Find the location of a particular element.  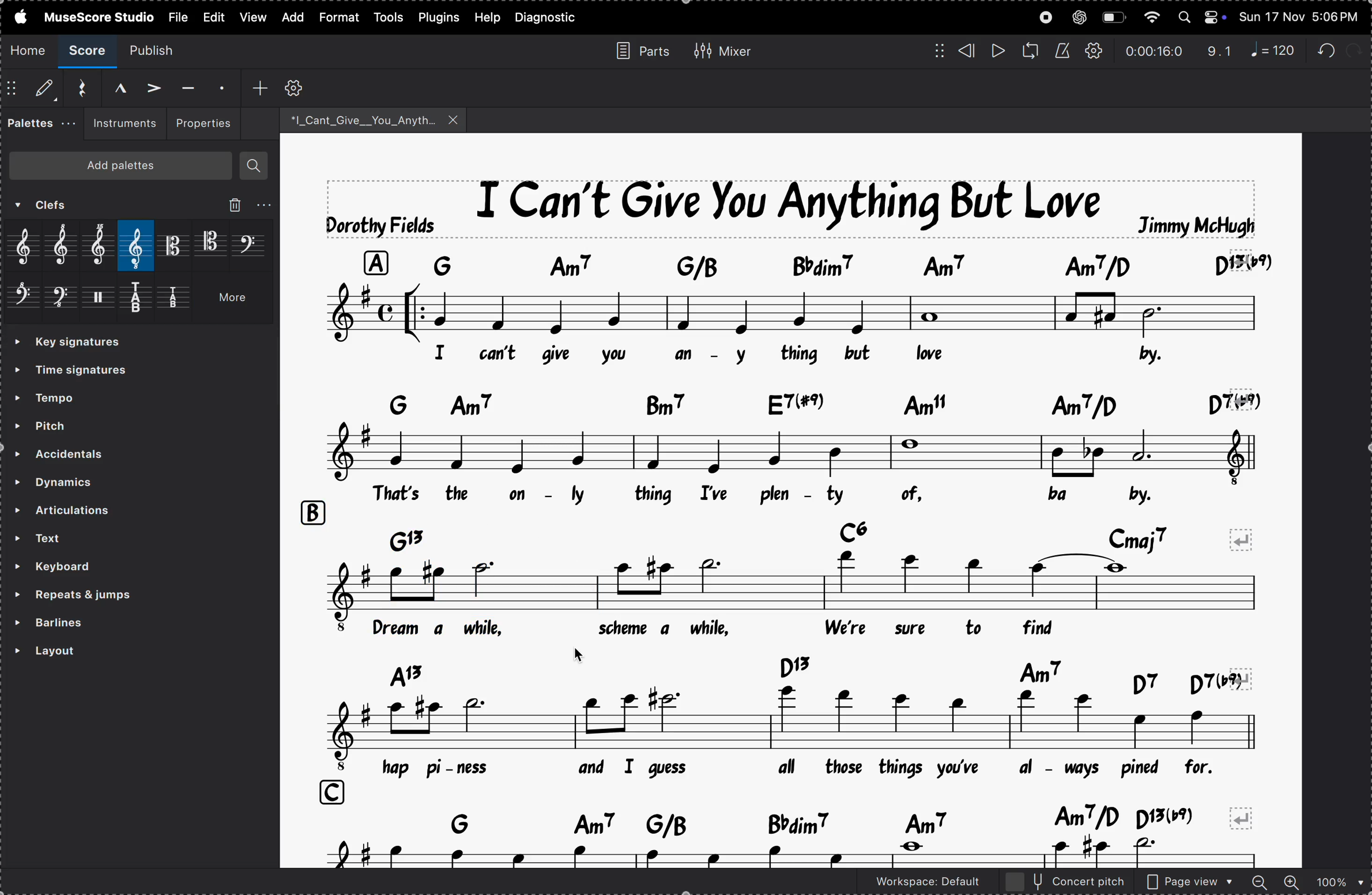

trble clef 15ma alta is located at coordinates (103, 247).